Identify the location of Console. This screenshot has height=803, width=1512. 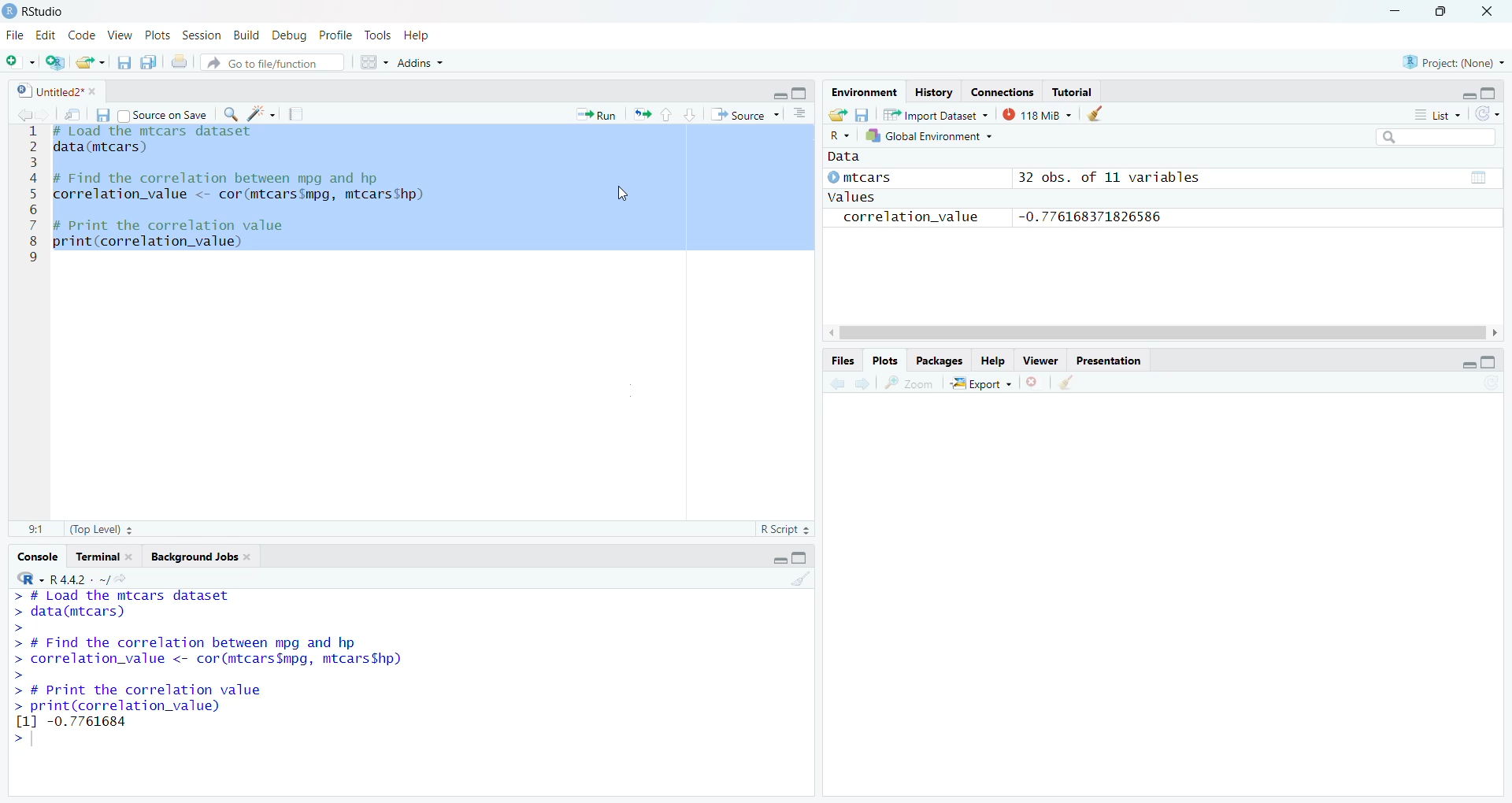
(35, 557).